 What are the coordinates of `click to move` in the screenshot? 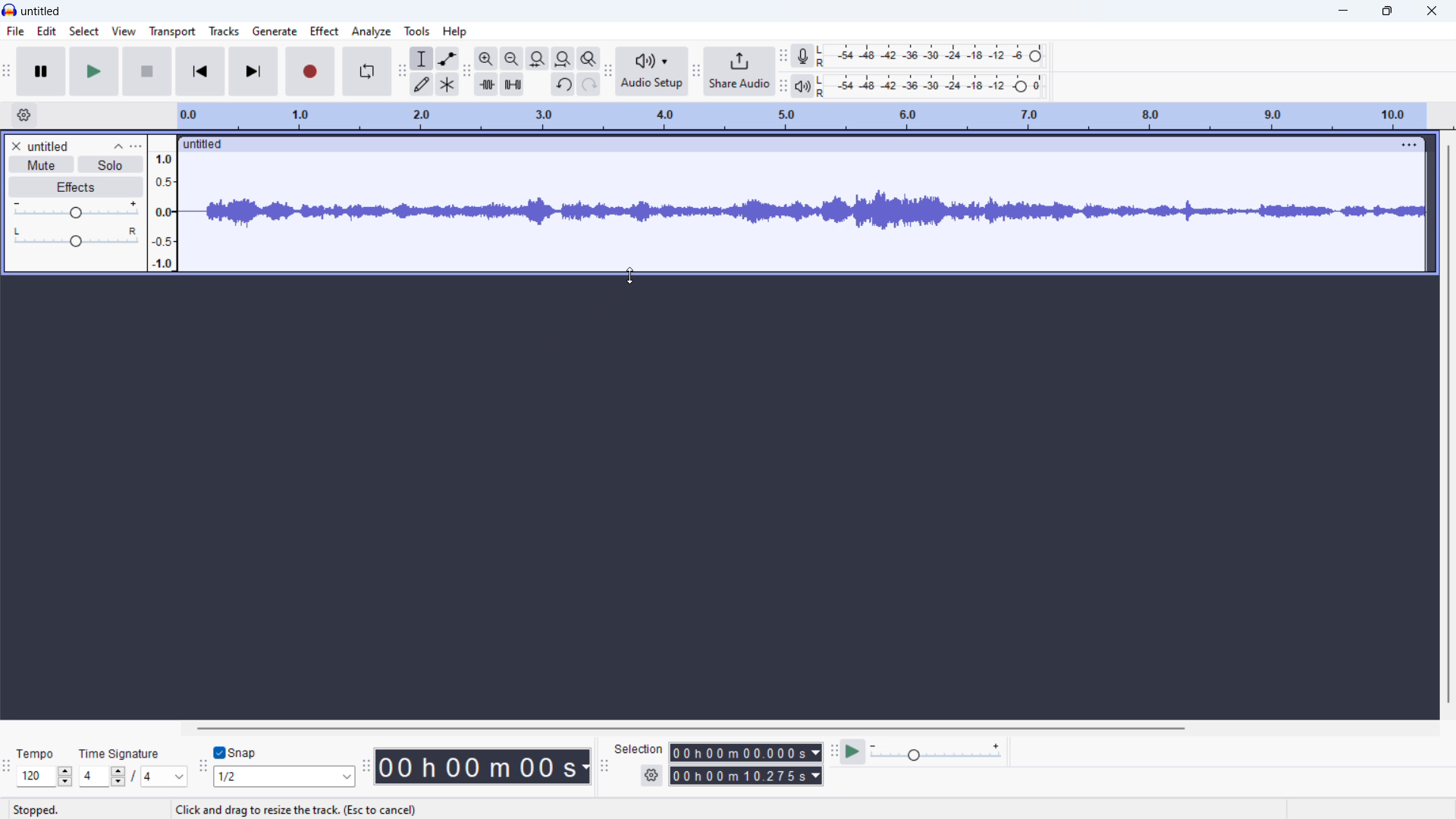 It's located at (782, 143).